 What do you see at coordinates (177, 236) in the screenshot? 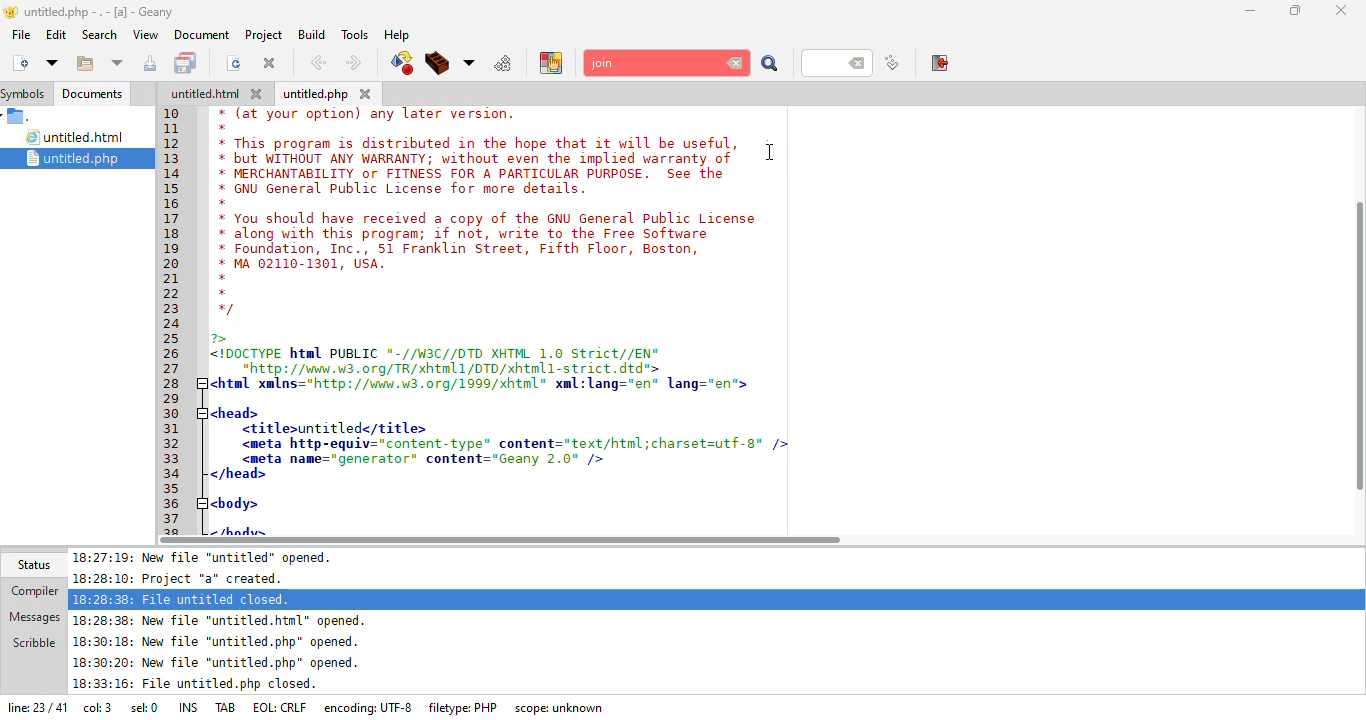
I see `18` at bounding box center [177, 236].